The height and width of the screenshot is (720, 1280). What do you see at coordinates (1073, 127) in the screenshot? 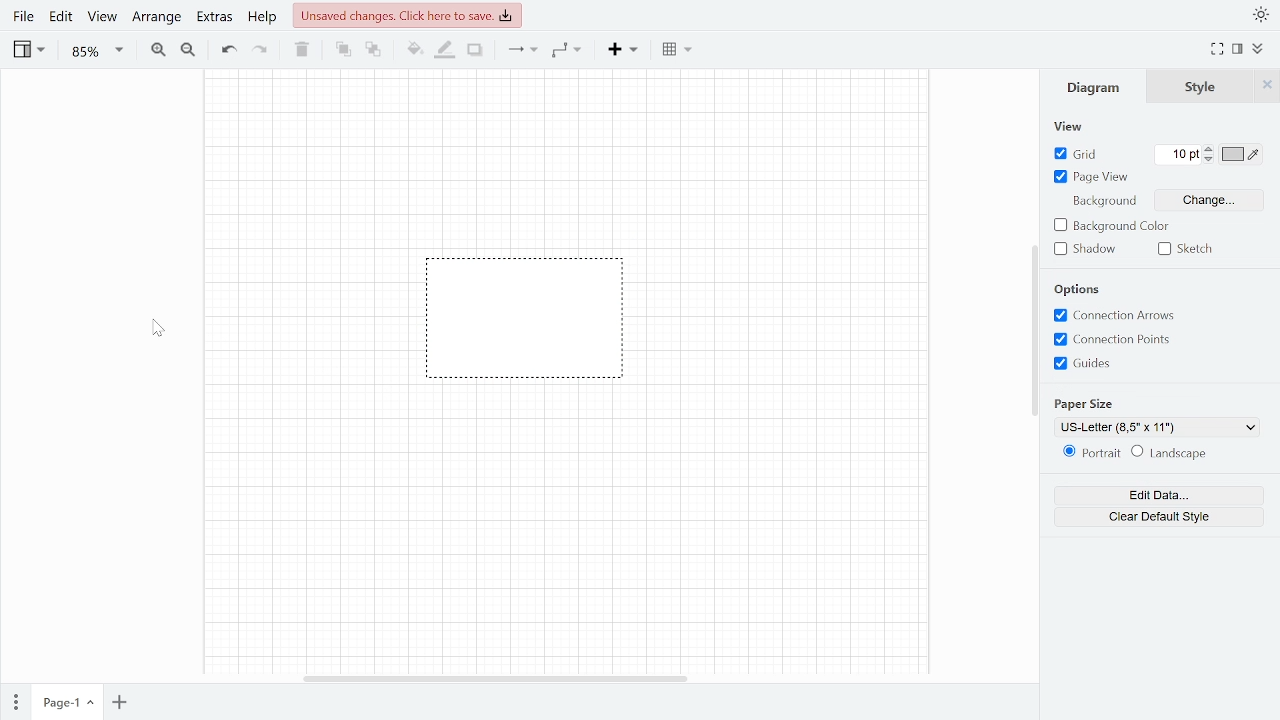
I see `View` at bounding box center [1073, 127].